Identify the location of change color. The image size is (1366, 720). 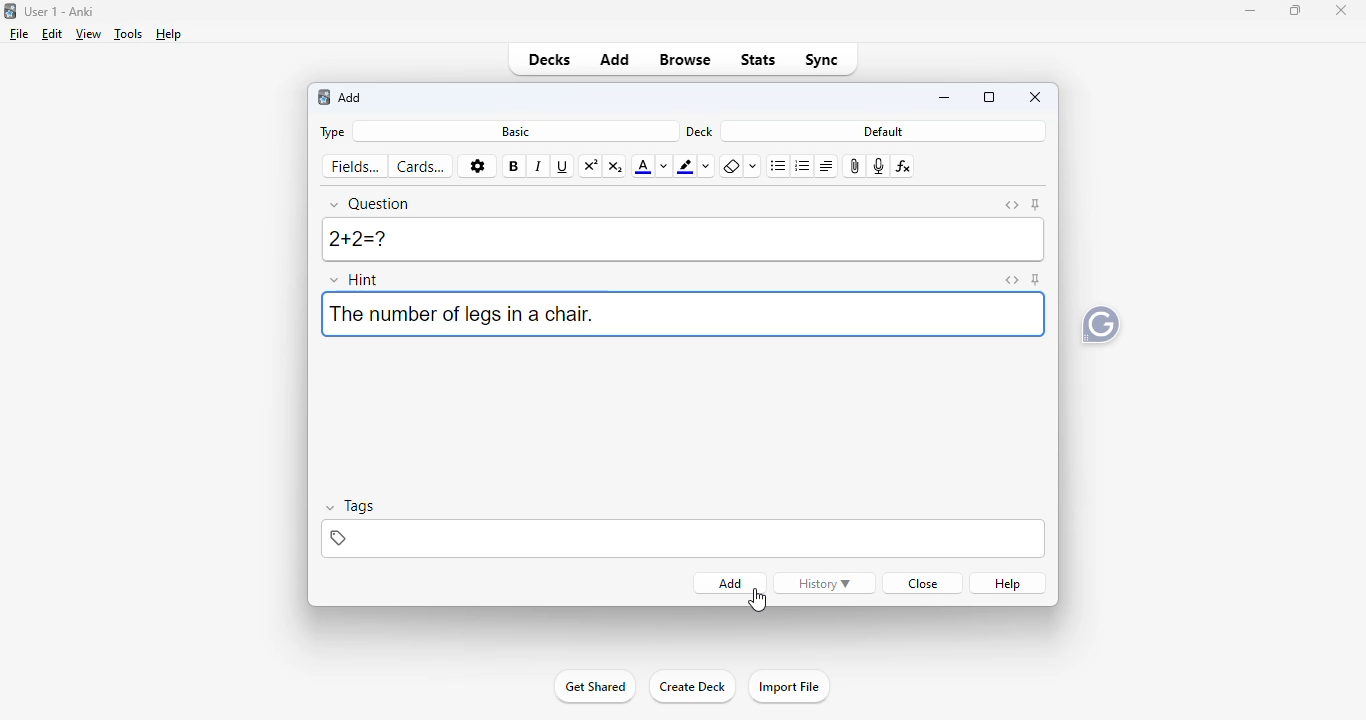
(664, 167).